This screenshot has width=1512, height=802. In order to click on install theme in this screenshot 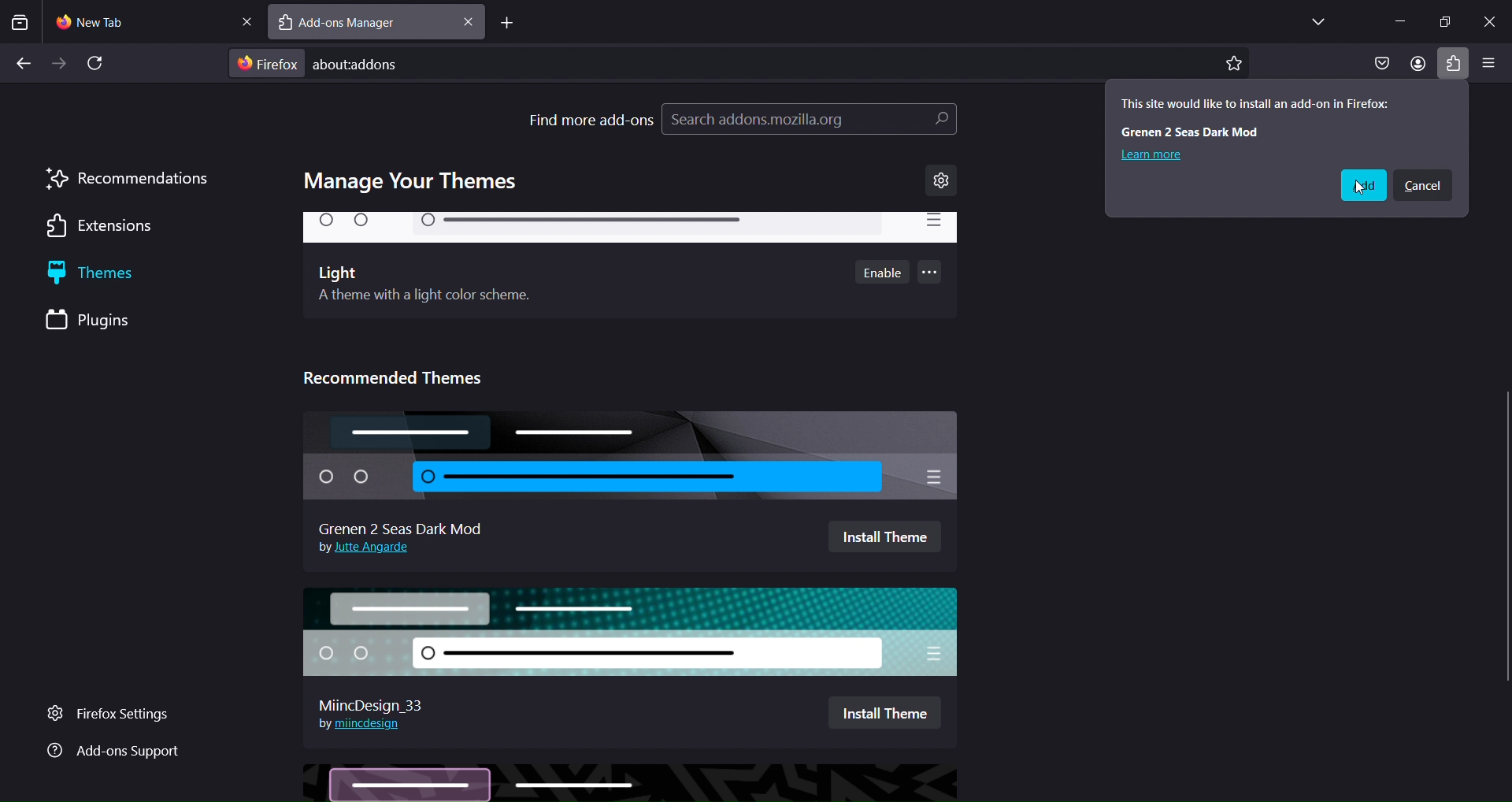, I will do `click(884, 537)`.